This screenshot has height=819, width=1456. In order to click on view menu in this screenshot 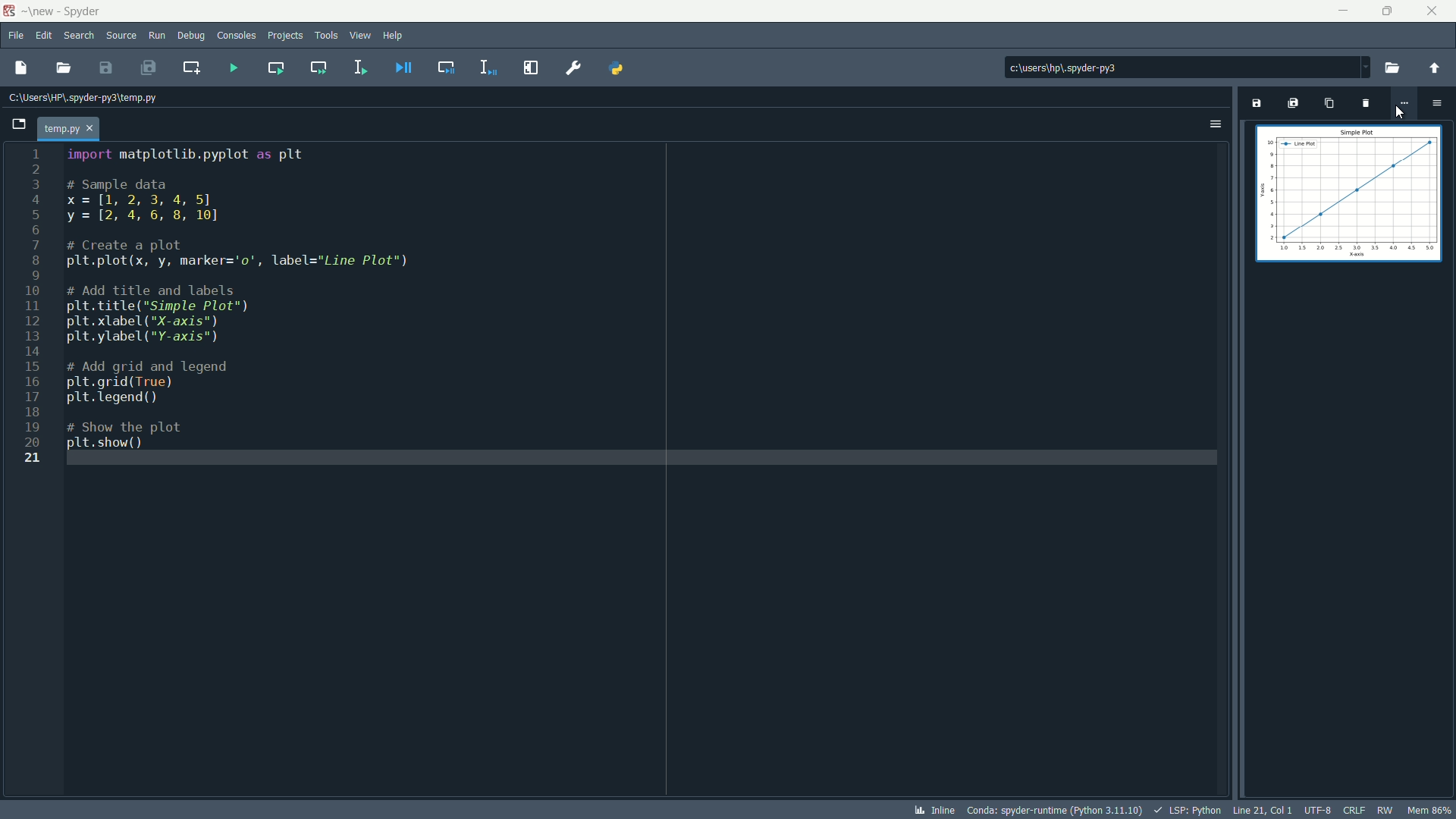, I will do `click(359, 36)`.